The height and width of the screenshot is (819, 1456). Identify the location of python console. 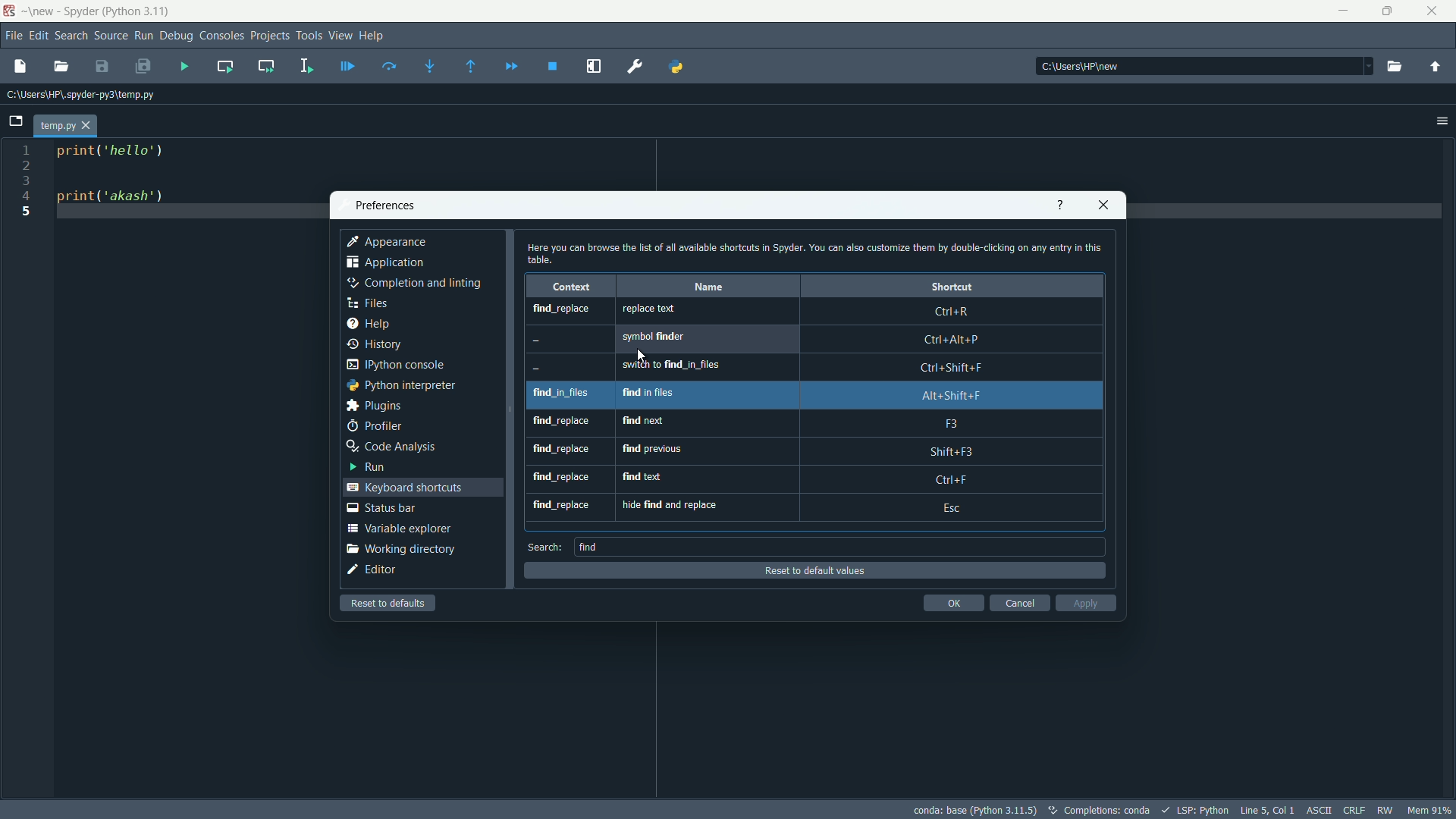
(404, 366).